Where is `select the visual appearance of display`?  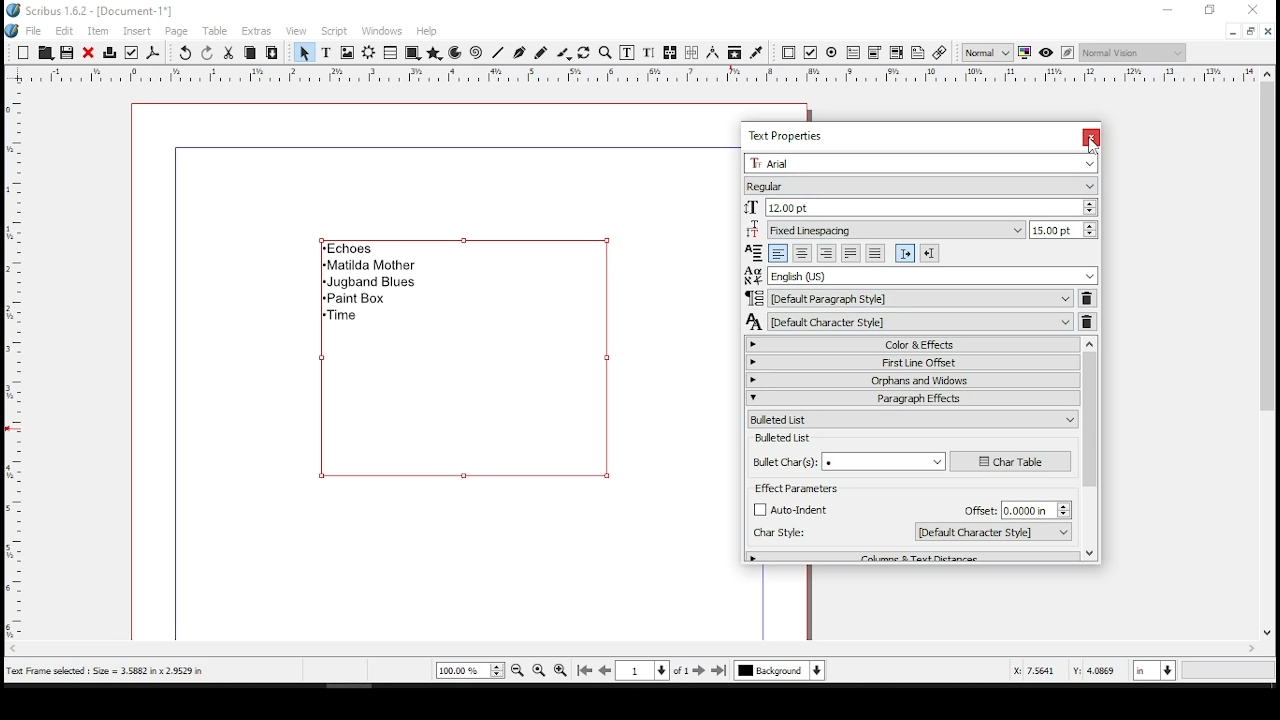 select the visual appearance of display is located at coordinates (1132, 52).